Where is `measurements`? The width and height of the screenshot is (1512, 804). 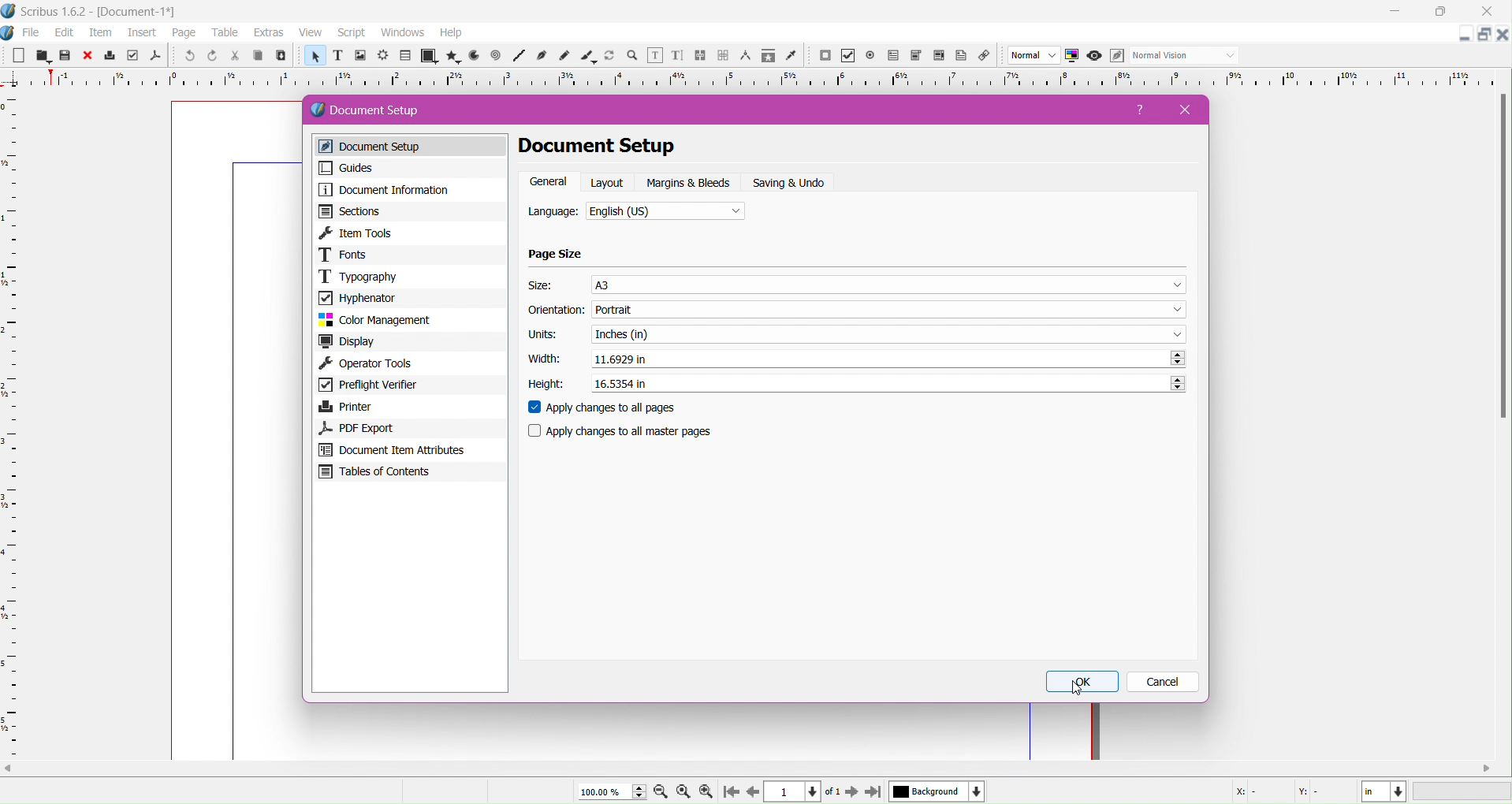 measurements is located at coordinates (745, 57).